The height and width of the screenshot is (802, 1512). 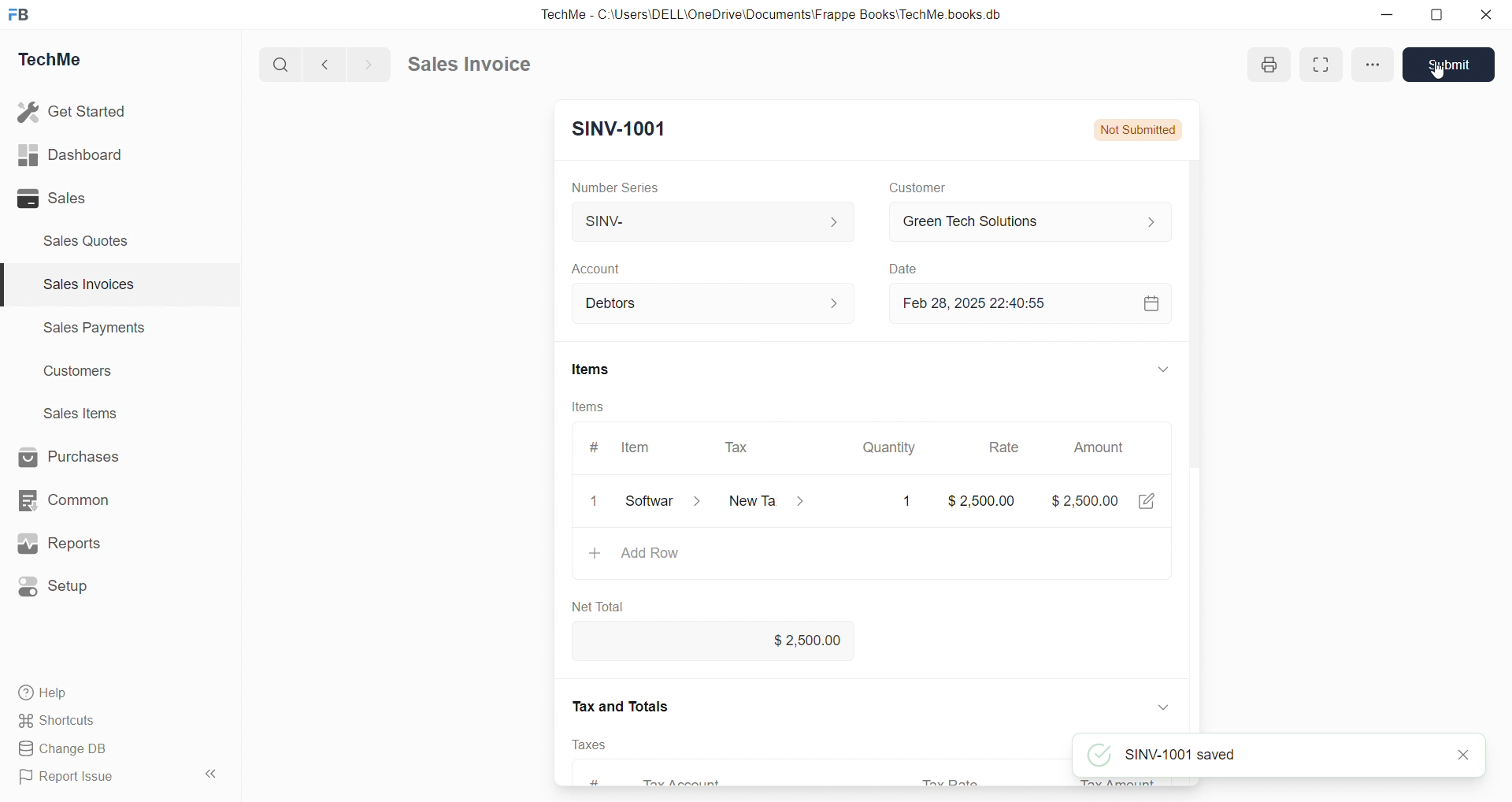 What do you see at coordinates (64, 500) in the screenshot?
I see `Common` at bounding box center [64, 500].